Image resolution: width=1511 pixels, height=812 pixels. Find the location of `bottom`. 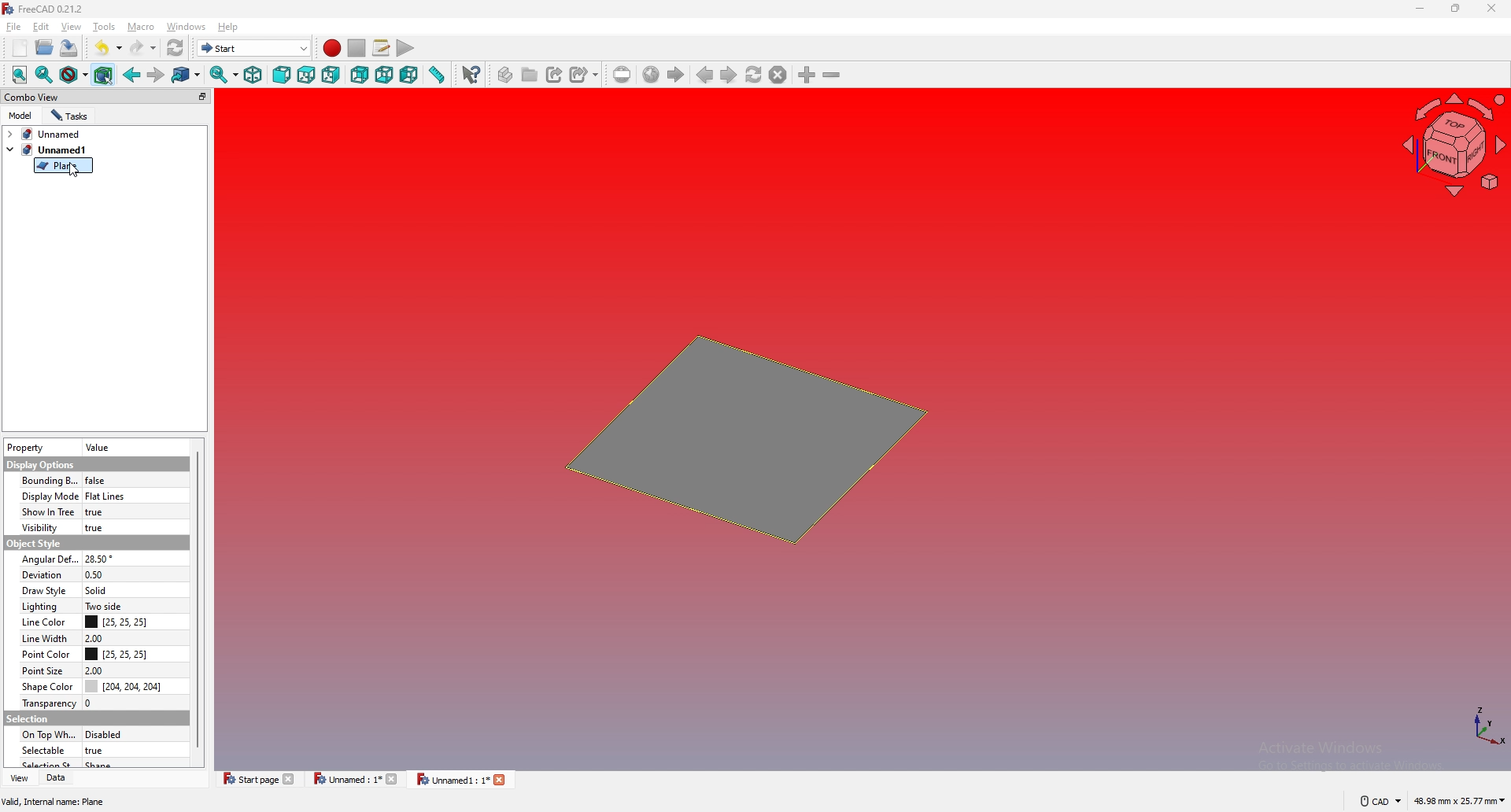

bottom is located at coordinates (384, 76).